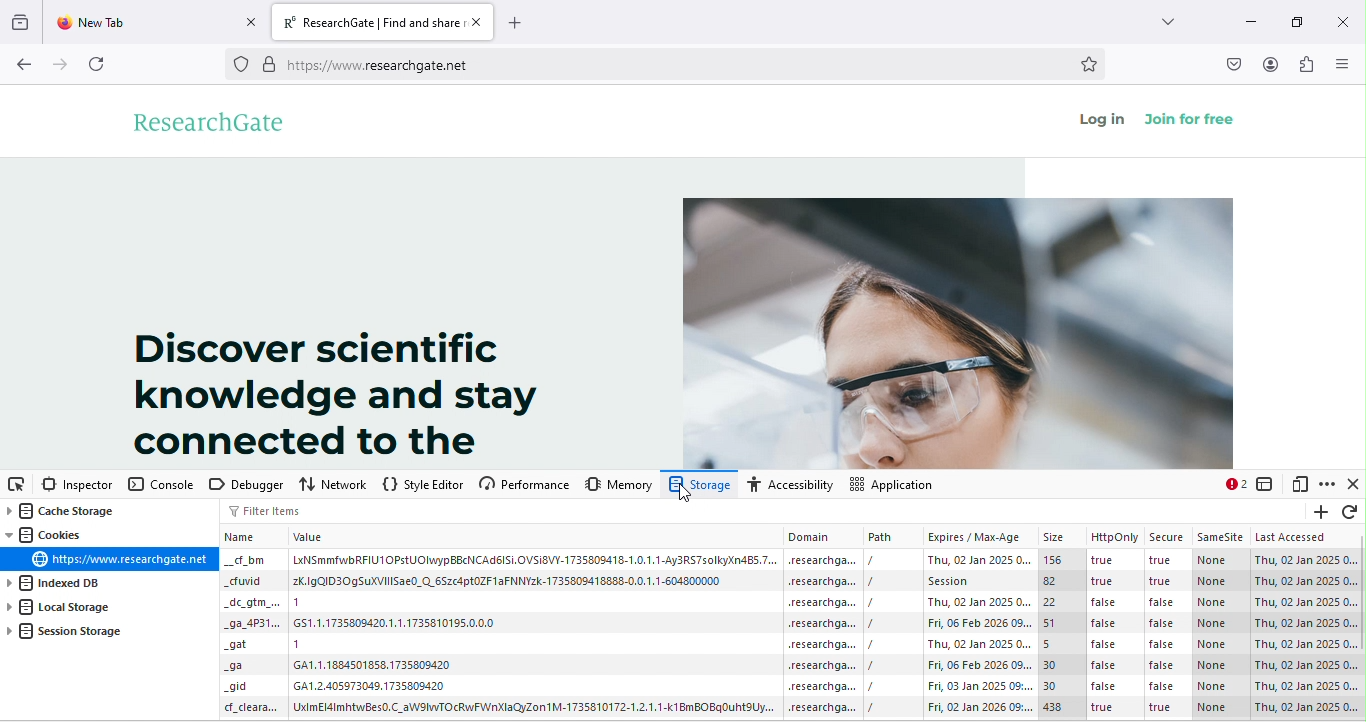 The height and width of the screenshot is (722, 1366). Describe the element at coordinates (872, 603) in the screenshot. I see `/` at that location.